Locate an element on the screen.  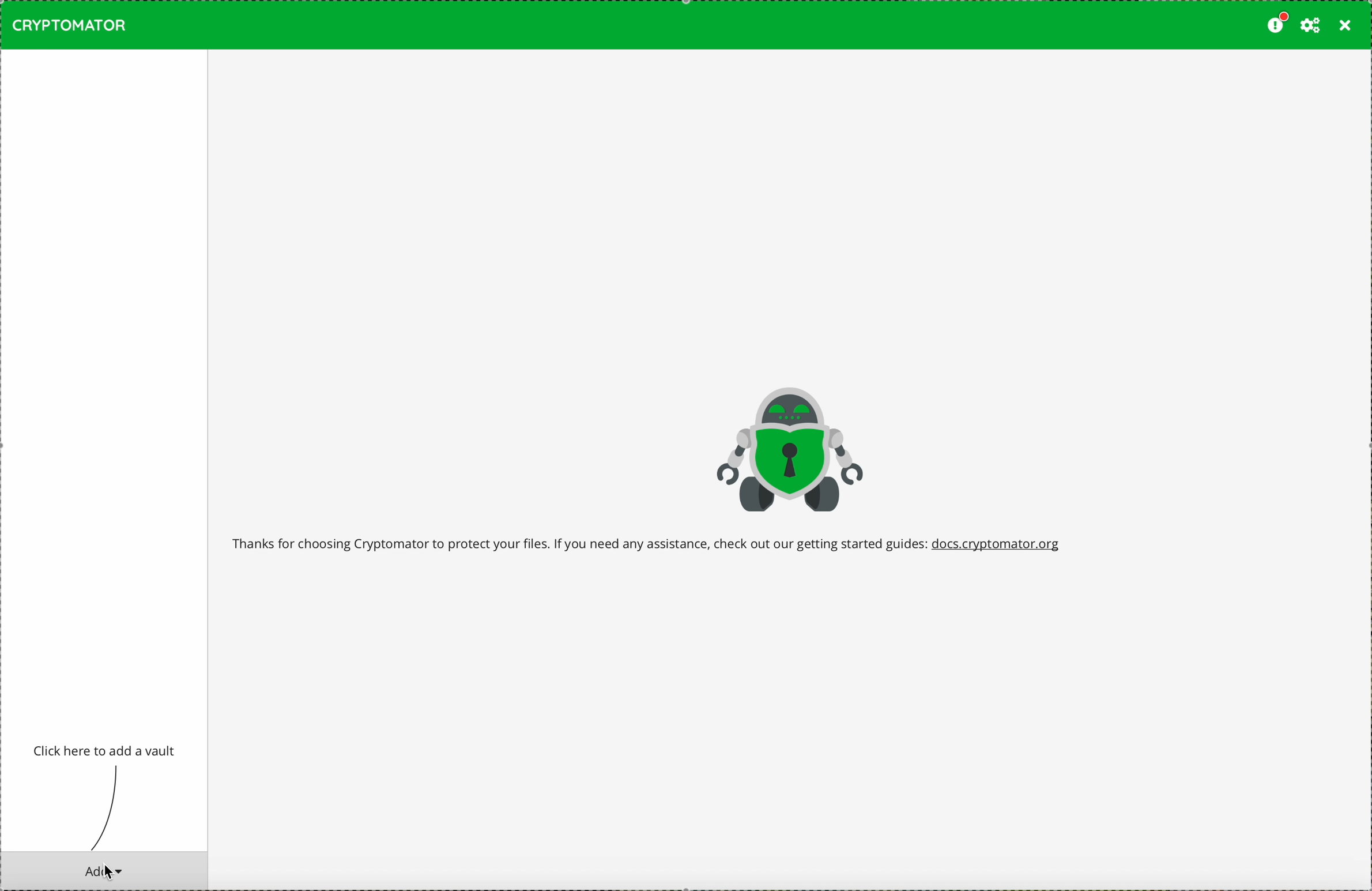
CRYPTOMATOR is located at coordinates (69, 25).